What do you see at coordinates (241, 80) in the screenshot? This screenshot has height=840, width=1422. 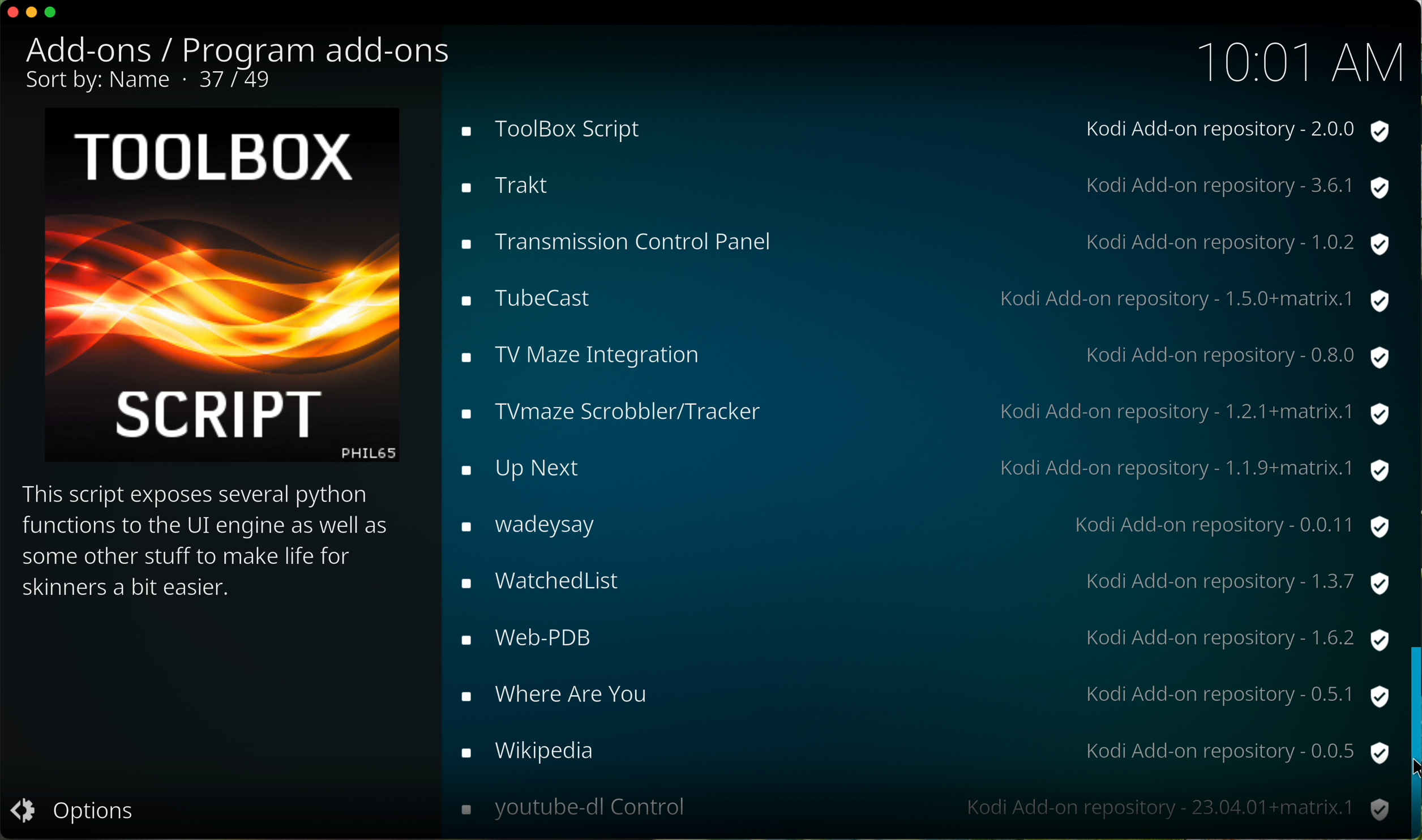 I see `37/49` at bounding box center [241, 80].